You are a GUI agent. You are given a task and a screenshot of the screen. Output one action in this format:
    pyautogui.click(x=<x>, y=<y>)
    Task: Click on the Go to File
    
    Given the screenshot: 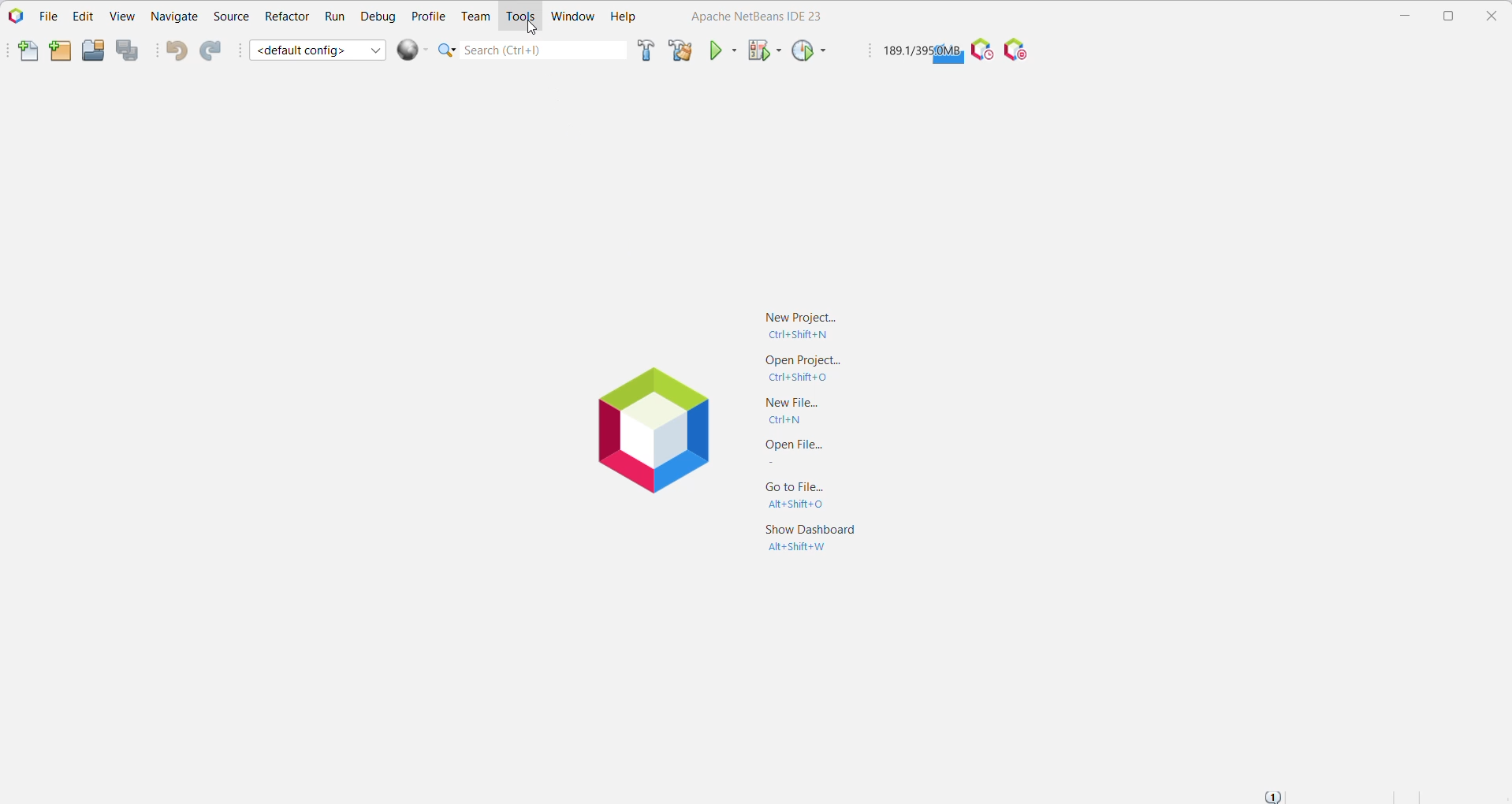 What is the action you would take?
    pyautogui.click(x=788, y=498)
    